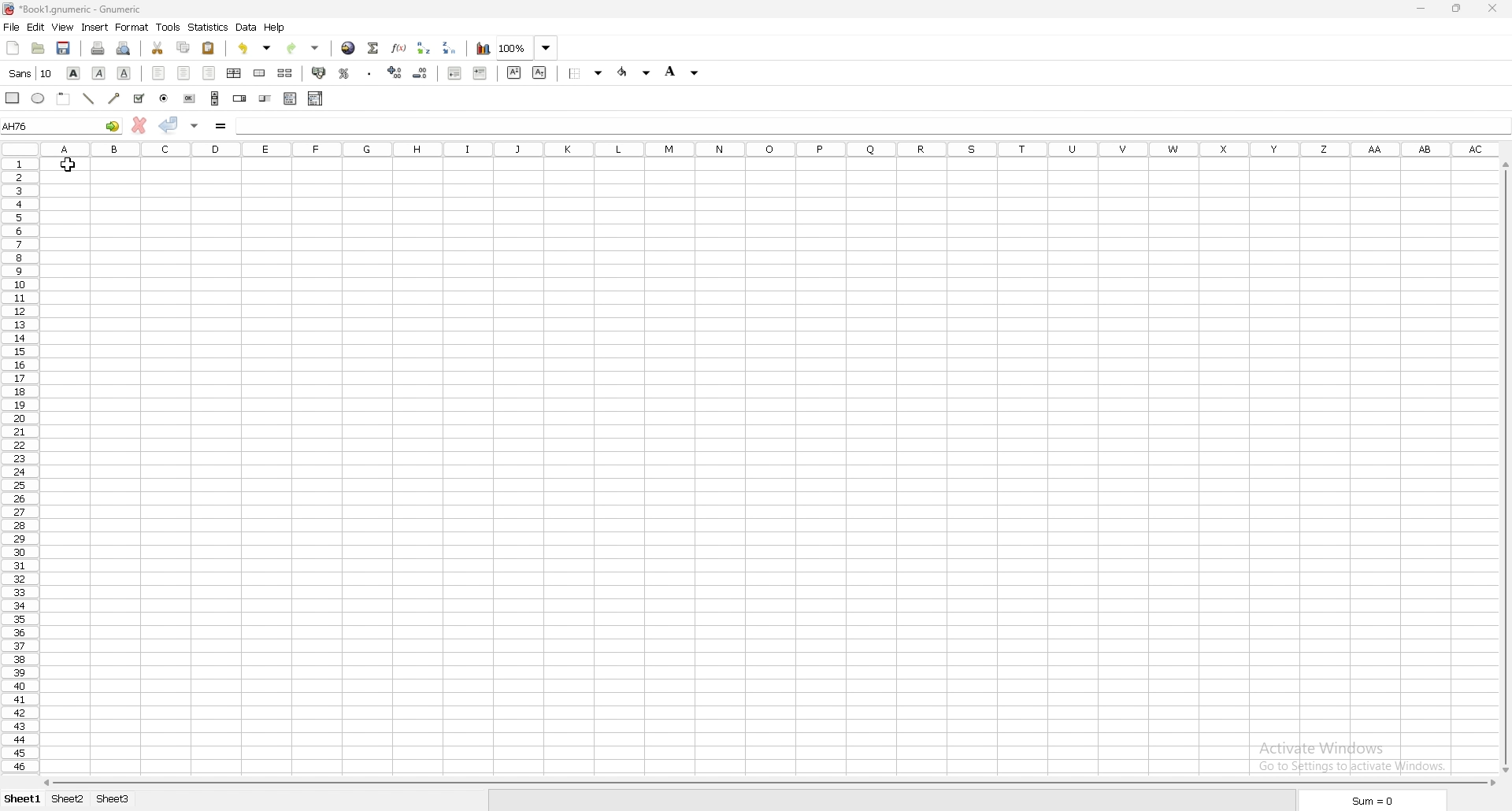  I want to click on redo, so click(301, 48).